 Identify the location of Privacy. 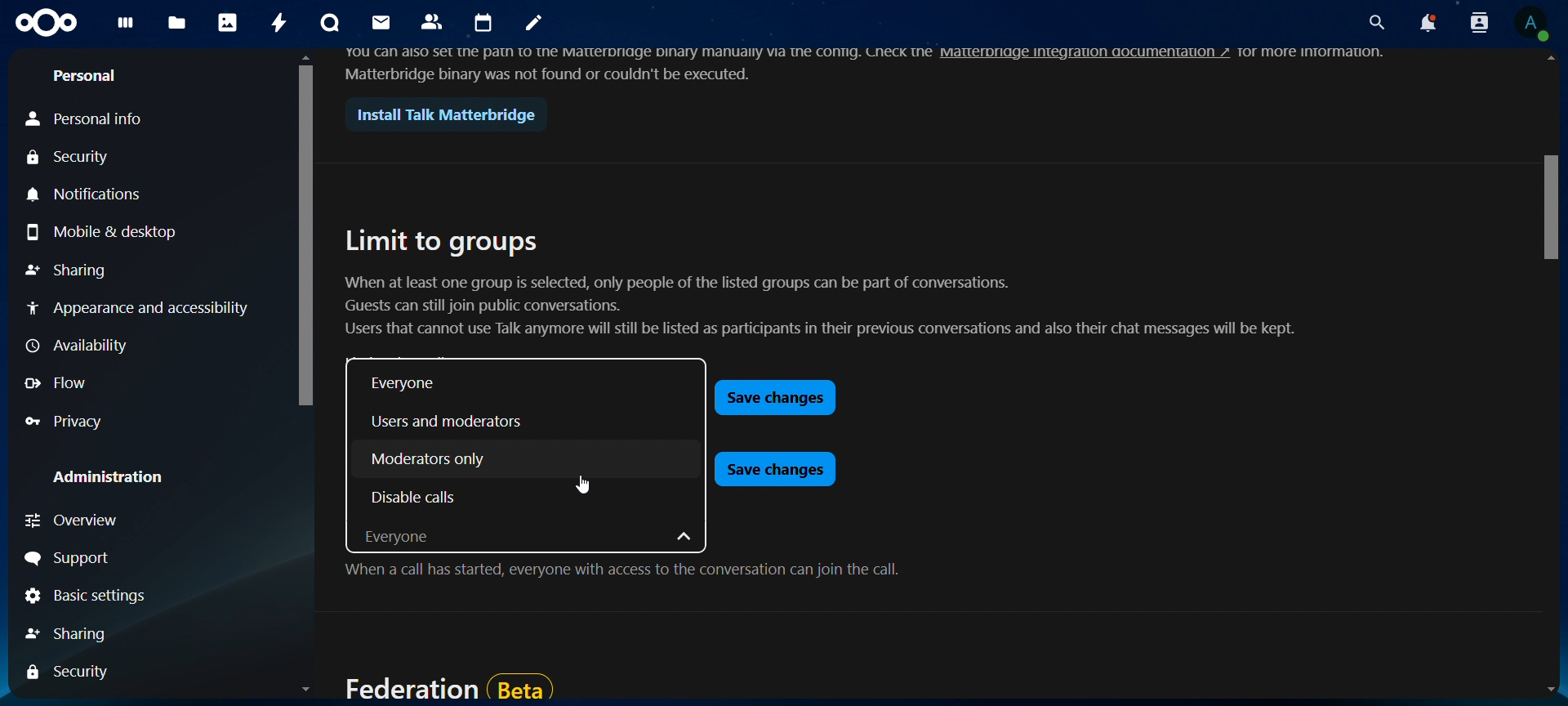
(128, 423).